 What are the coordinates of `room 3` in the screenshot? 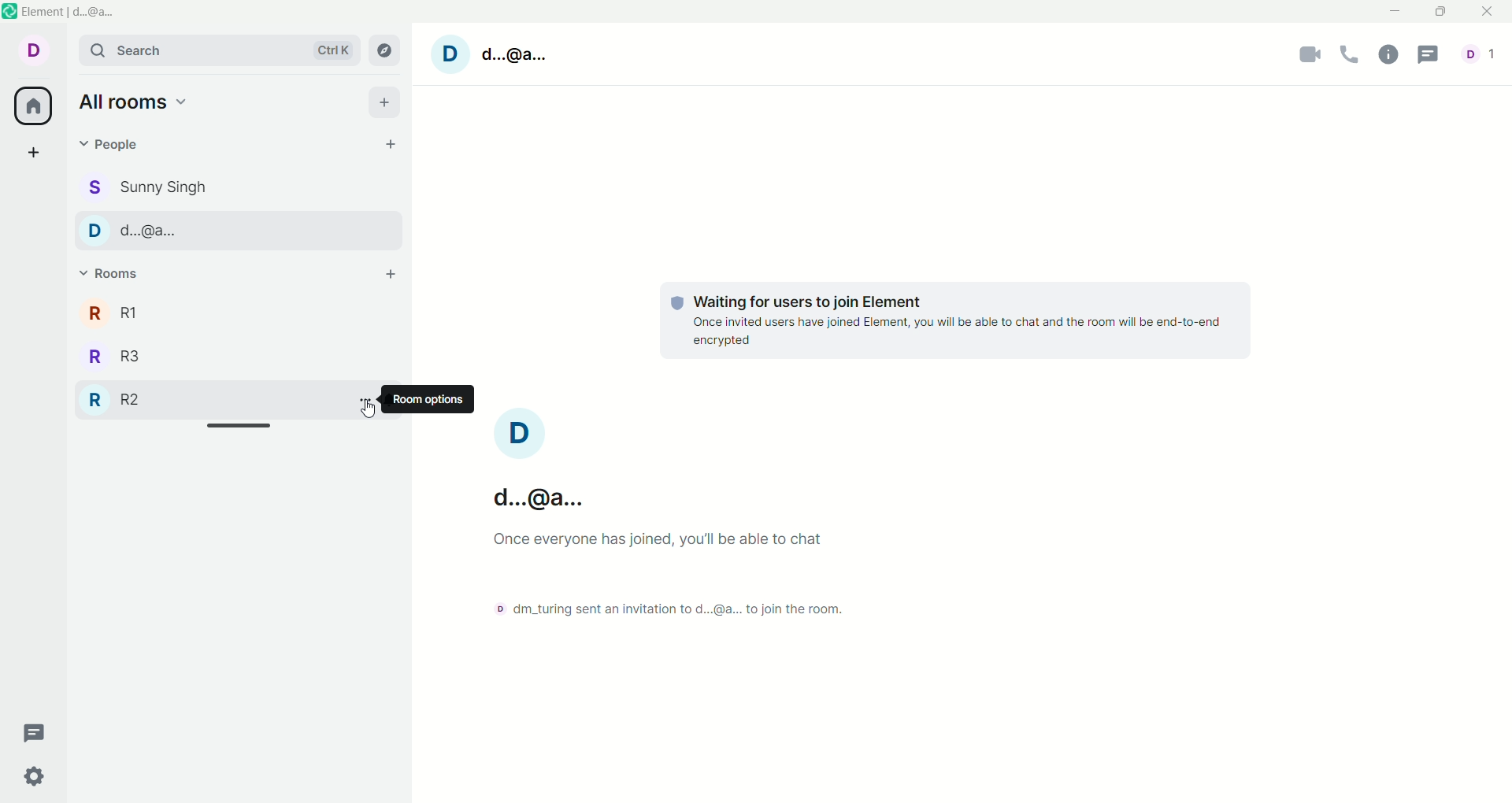 It's located at (113, 358).